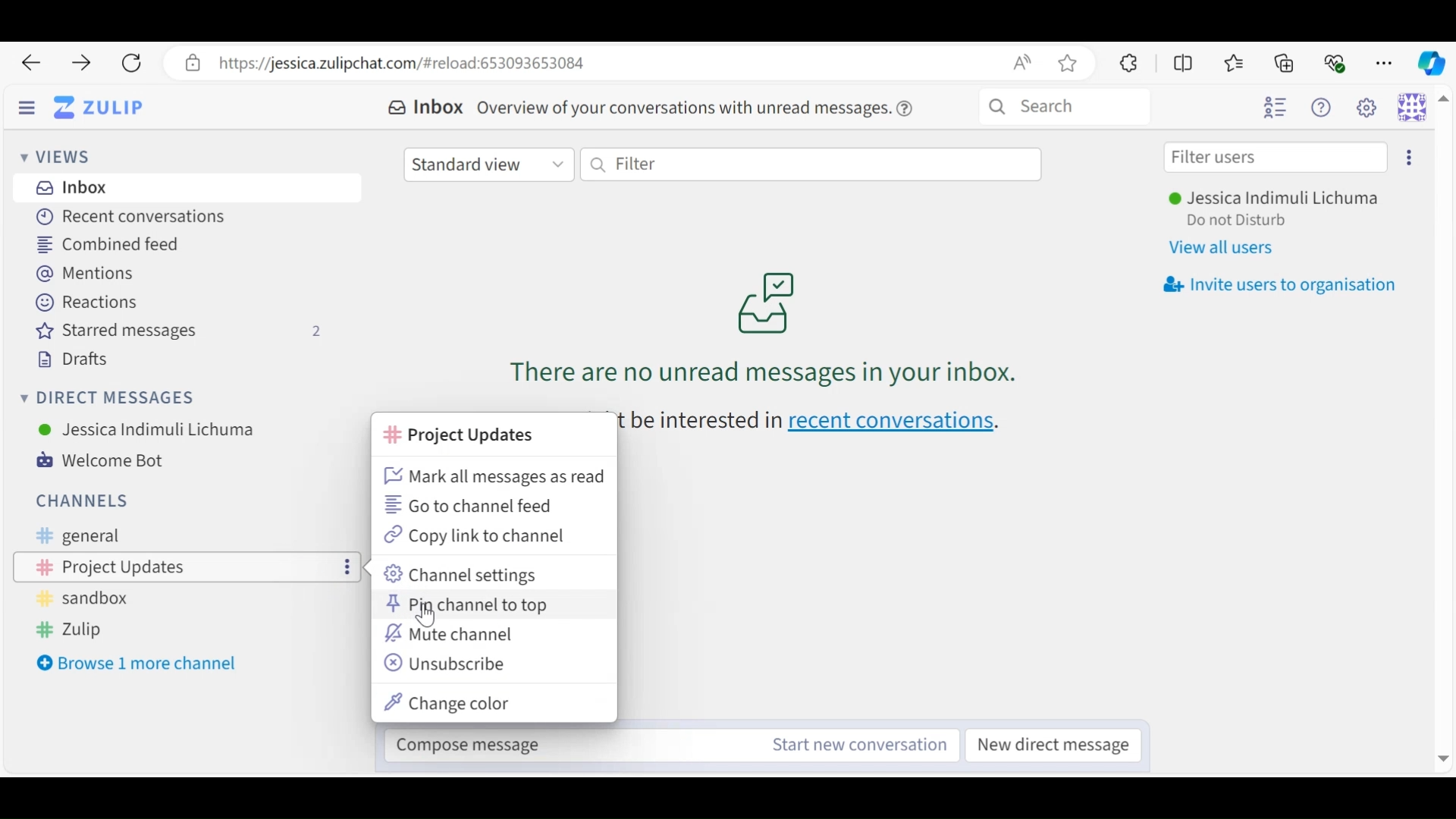 Image resolution: width=1456 pixels, height=819 pixels. I want to click on Unsubscribe, so click(447, 663).